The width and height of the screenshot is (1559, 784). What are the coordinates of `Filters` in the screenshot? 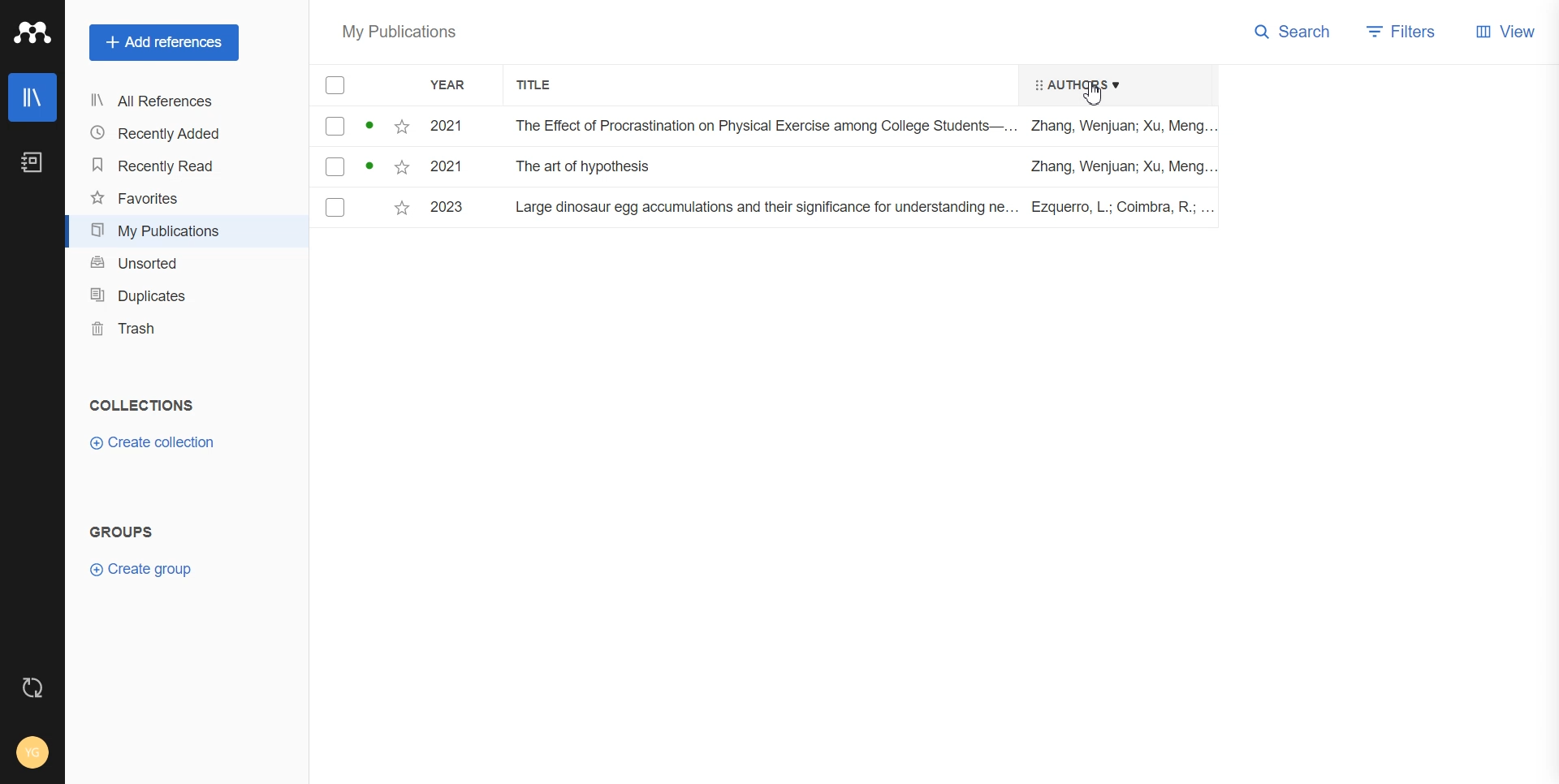 It's located at (1406, 31).